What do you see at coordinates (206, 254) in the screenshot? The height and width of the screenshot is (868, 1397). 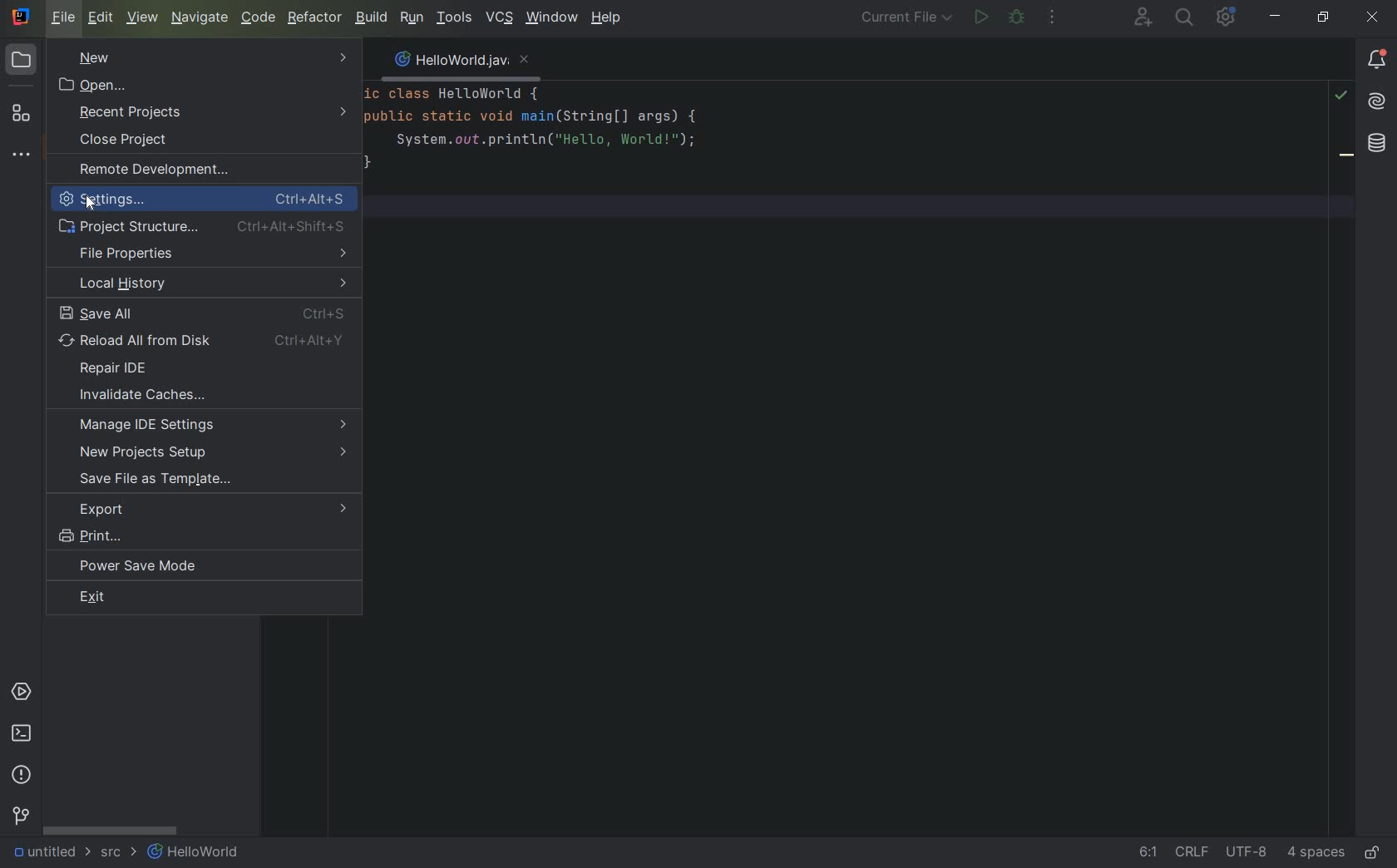 I see `file properties` at bounding box center [206, 254].